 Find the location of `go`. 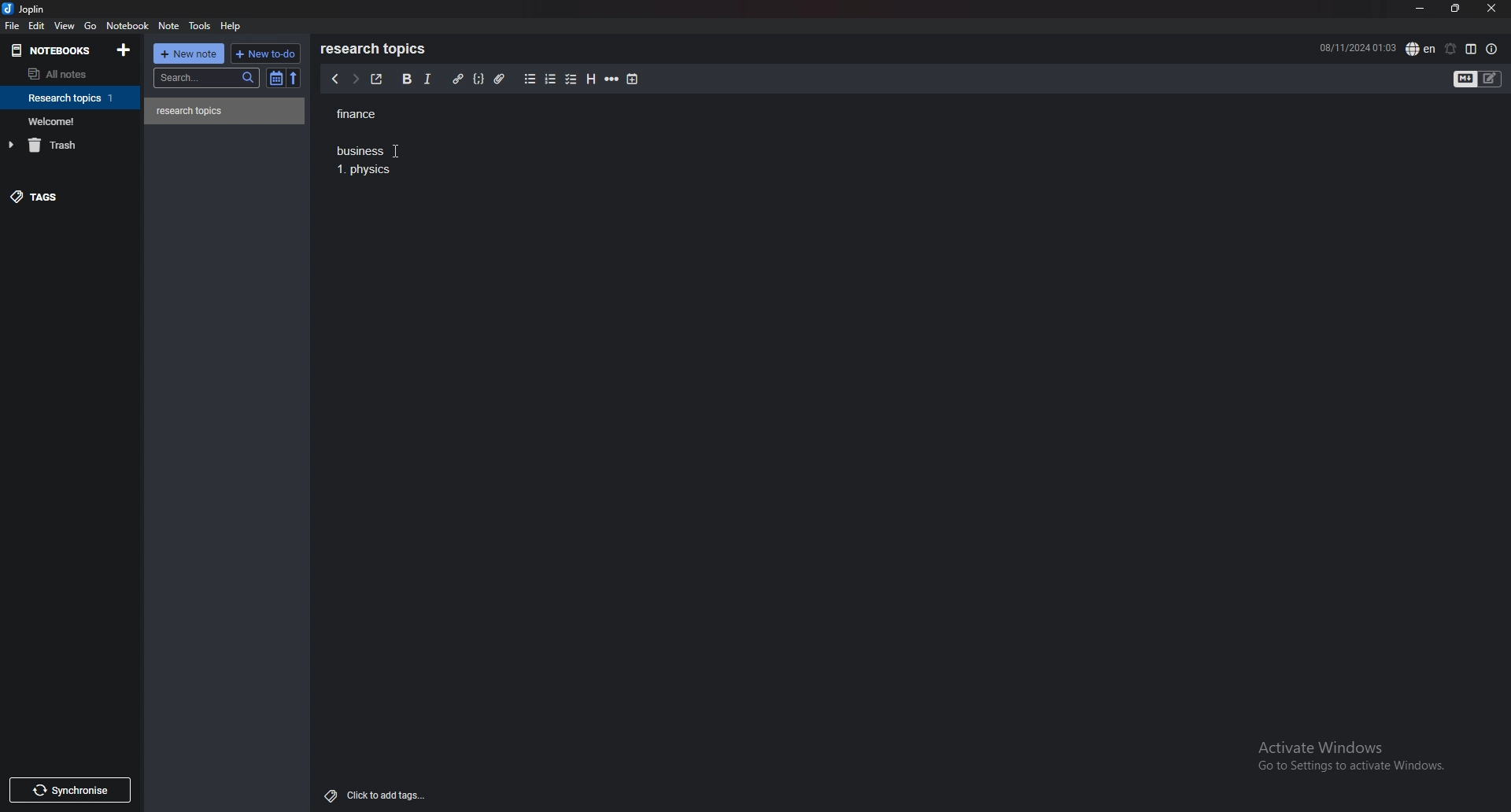

go is located at coordinates (90, 26).